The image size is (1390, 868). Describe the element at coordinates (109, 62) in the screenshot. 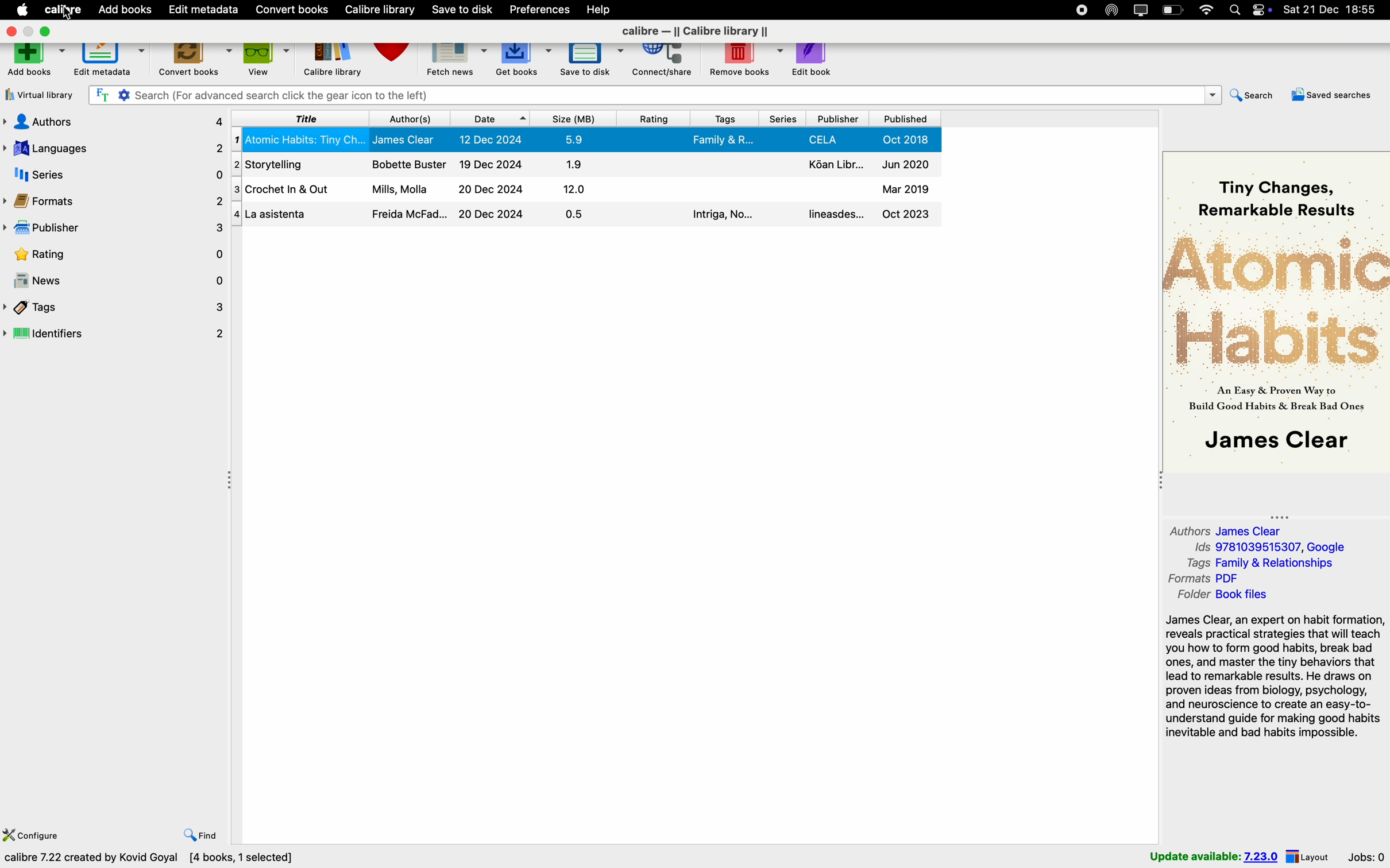

I see `edit metadata` at that location.